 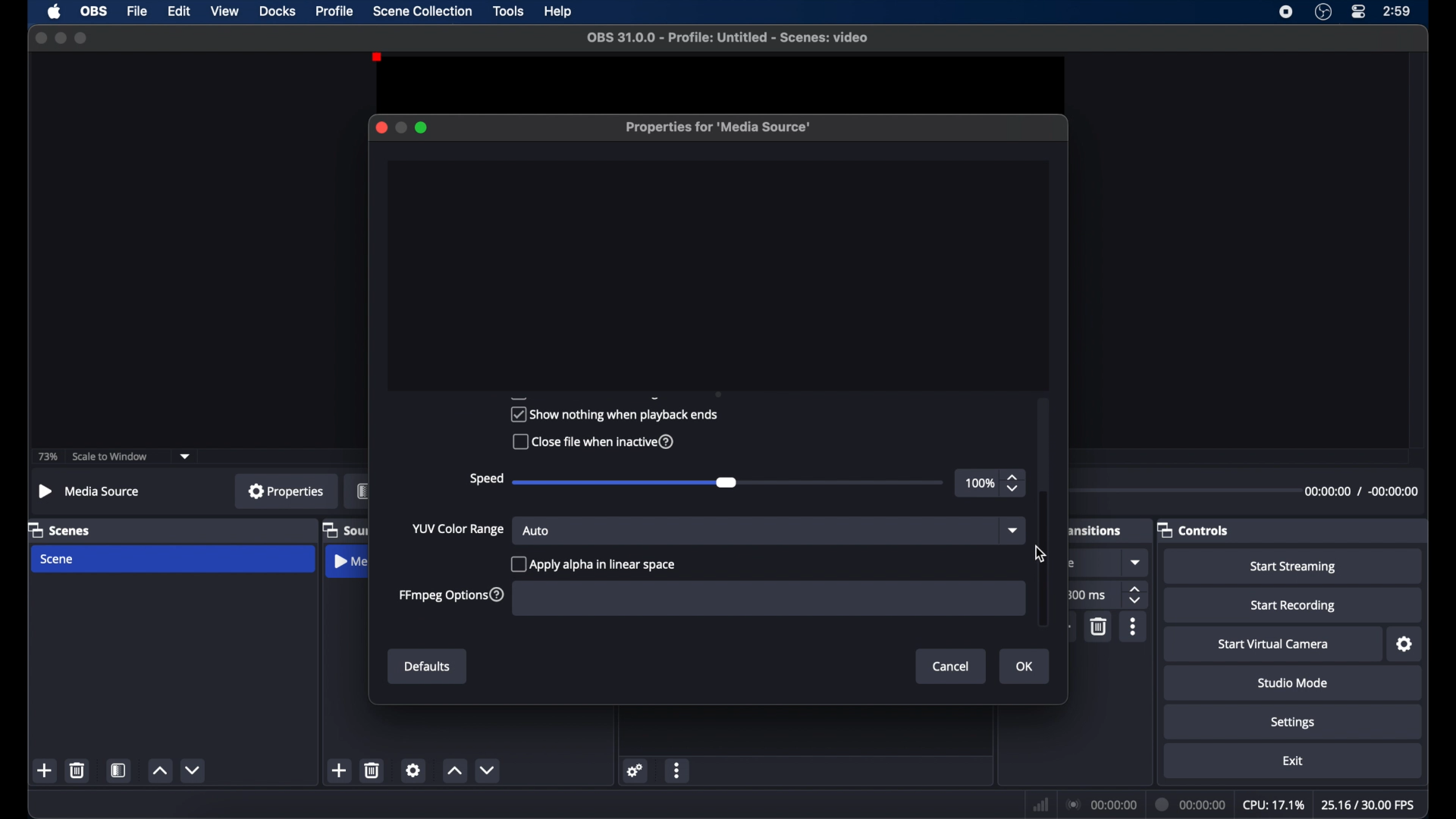 I want to click on delete, so click(x=77, y=770).